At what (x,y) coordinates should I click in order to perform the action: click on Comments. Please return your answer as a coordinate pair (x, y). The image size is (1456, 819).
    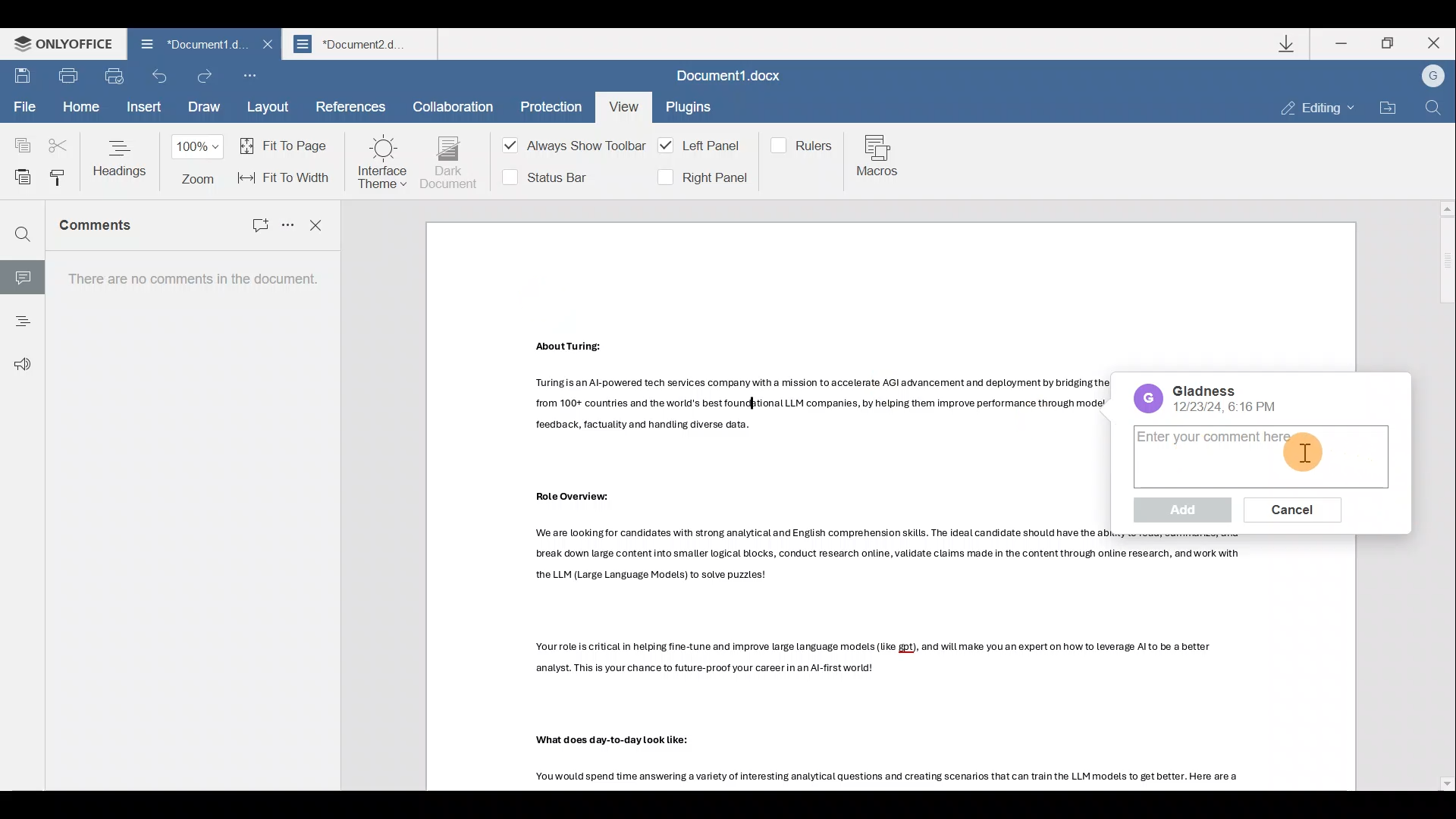
    Looking at the image, I should click on (115, 231).